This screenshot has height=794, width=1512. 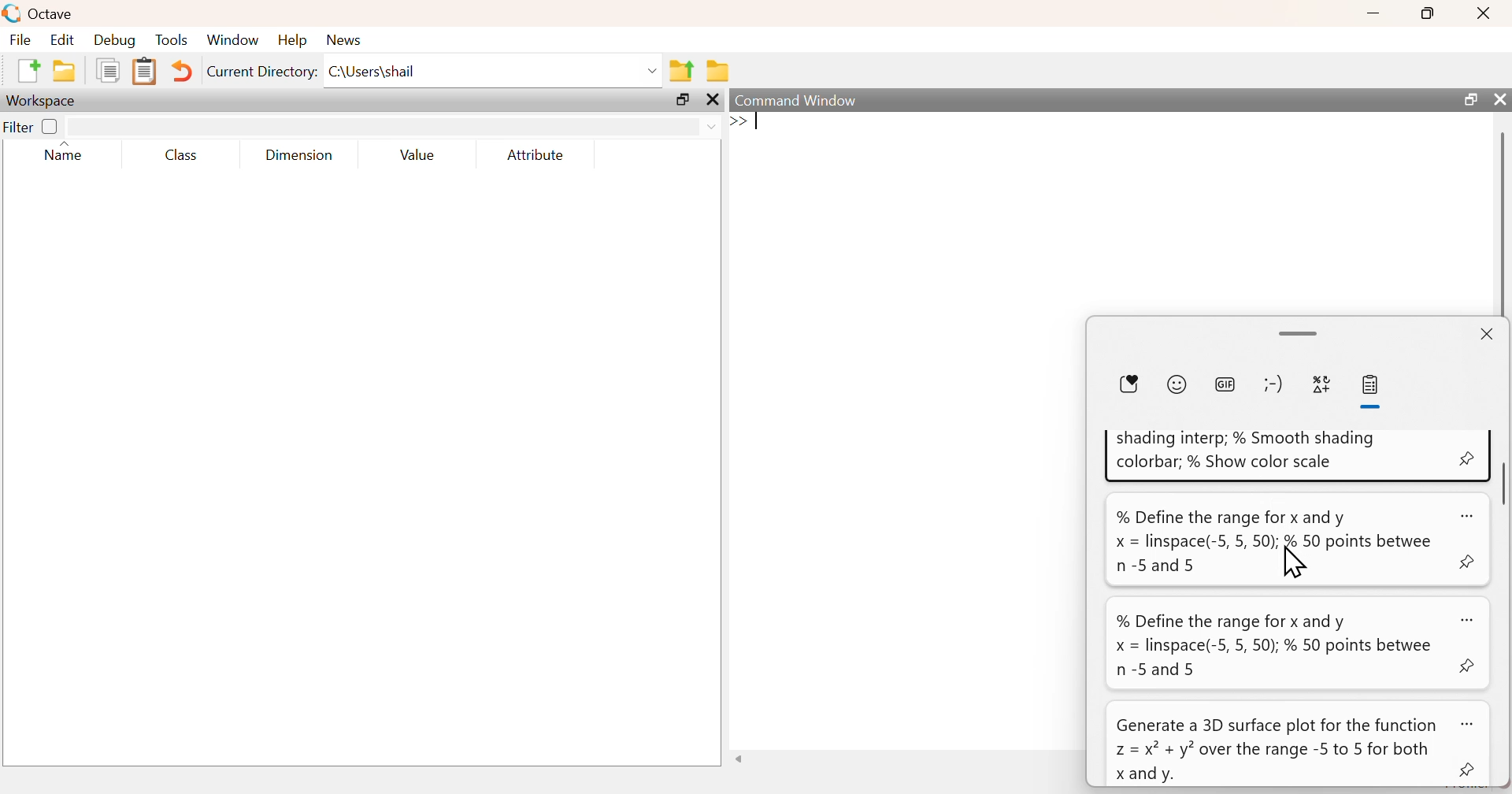 I want to click on Value, so click(x=417, y=154).